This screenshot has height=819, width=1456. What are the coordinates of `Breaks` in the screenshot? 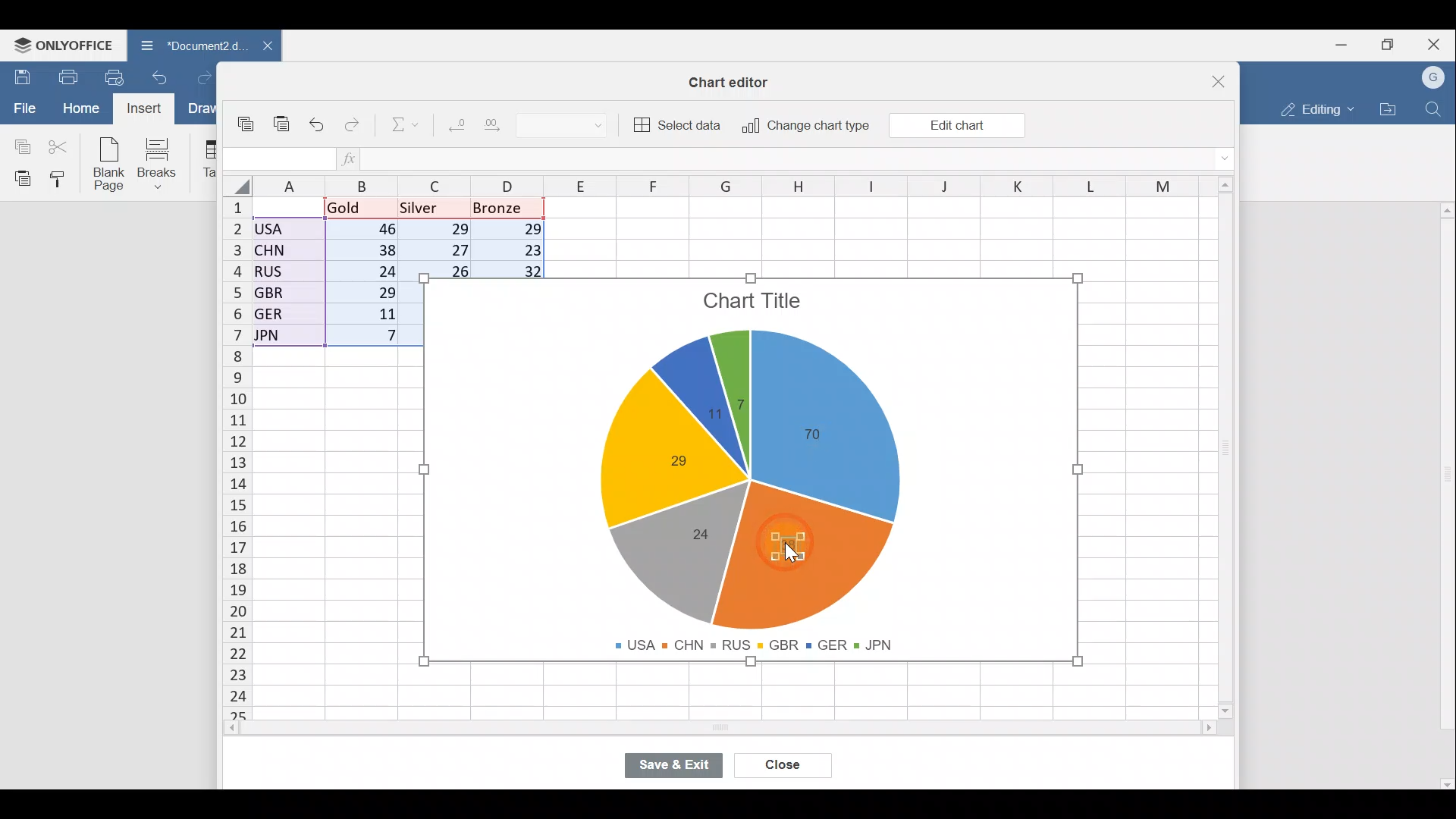 It's located at (160, 165).